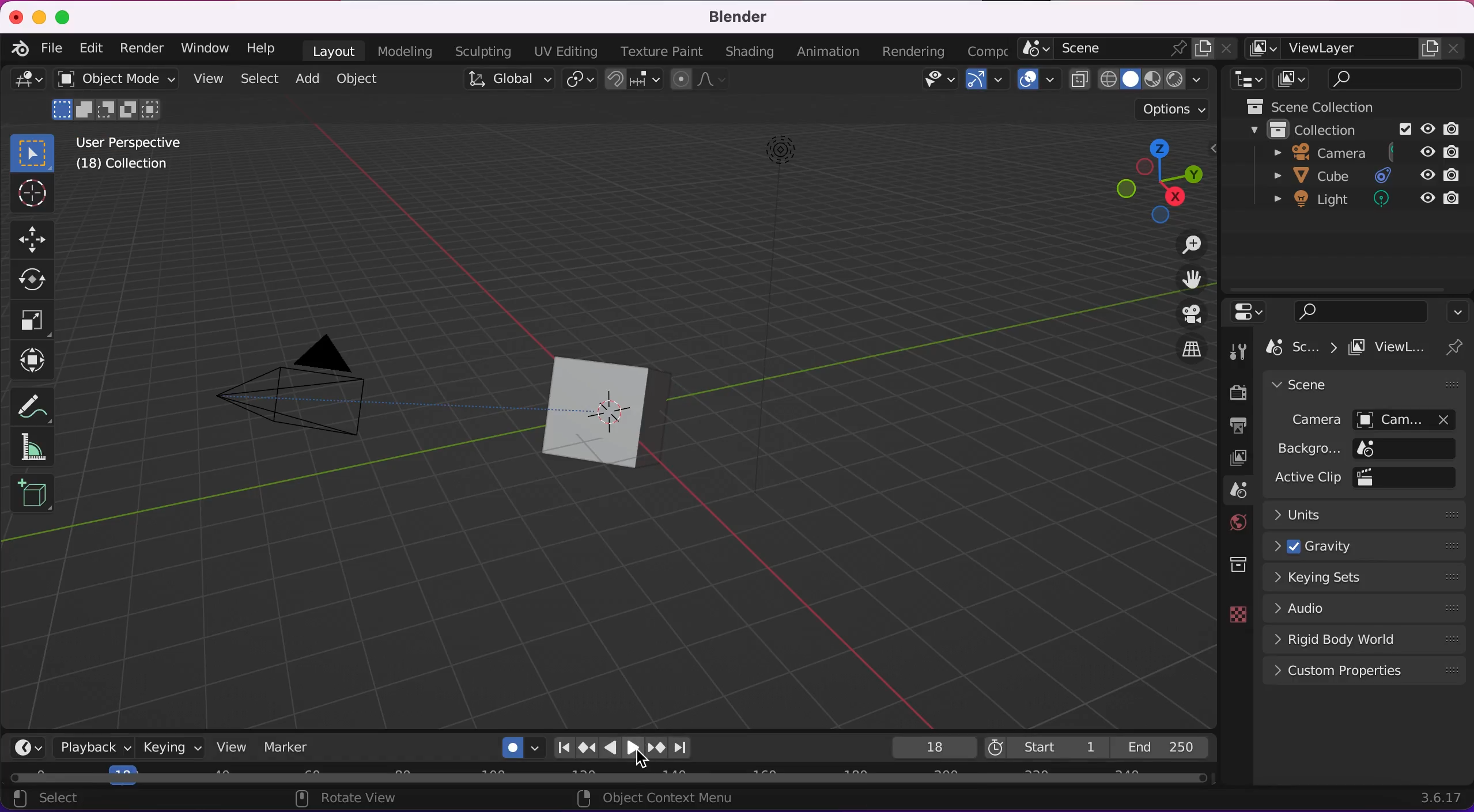 This screenshot has height=812, width=1474. Describe the element at coordinates (1179, 245) in the screenshot. I see `zoom in/out` at that location.